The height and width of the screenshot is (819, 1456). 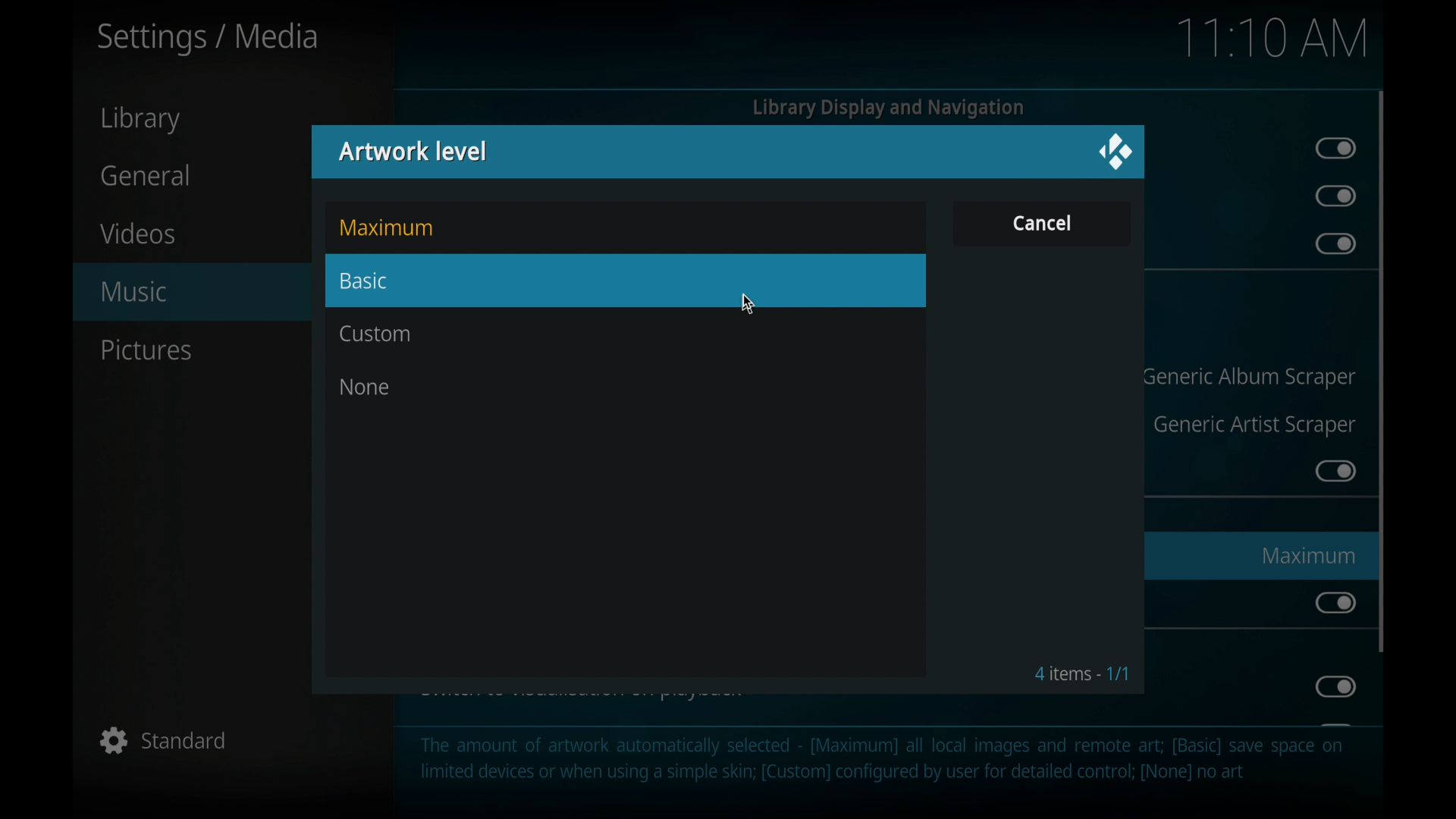 I want to click on settings/media, so click(x=208, y=38).